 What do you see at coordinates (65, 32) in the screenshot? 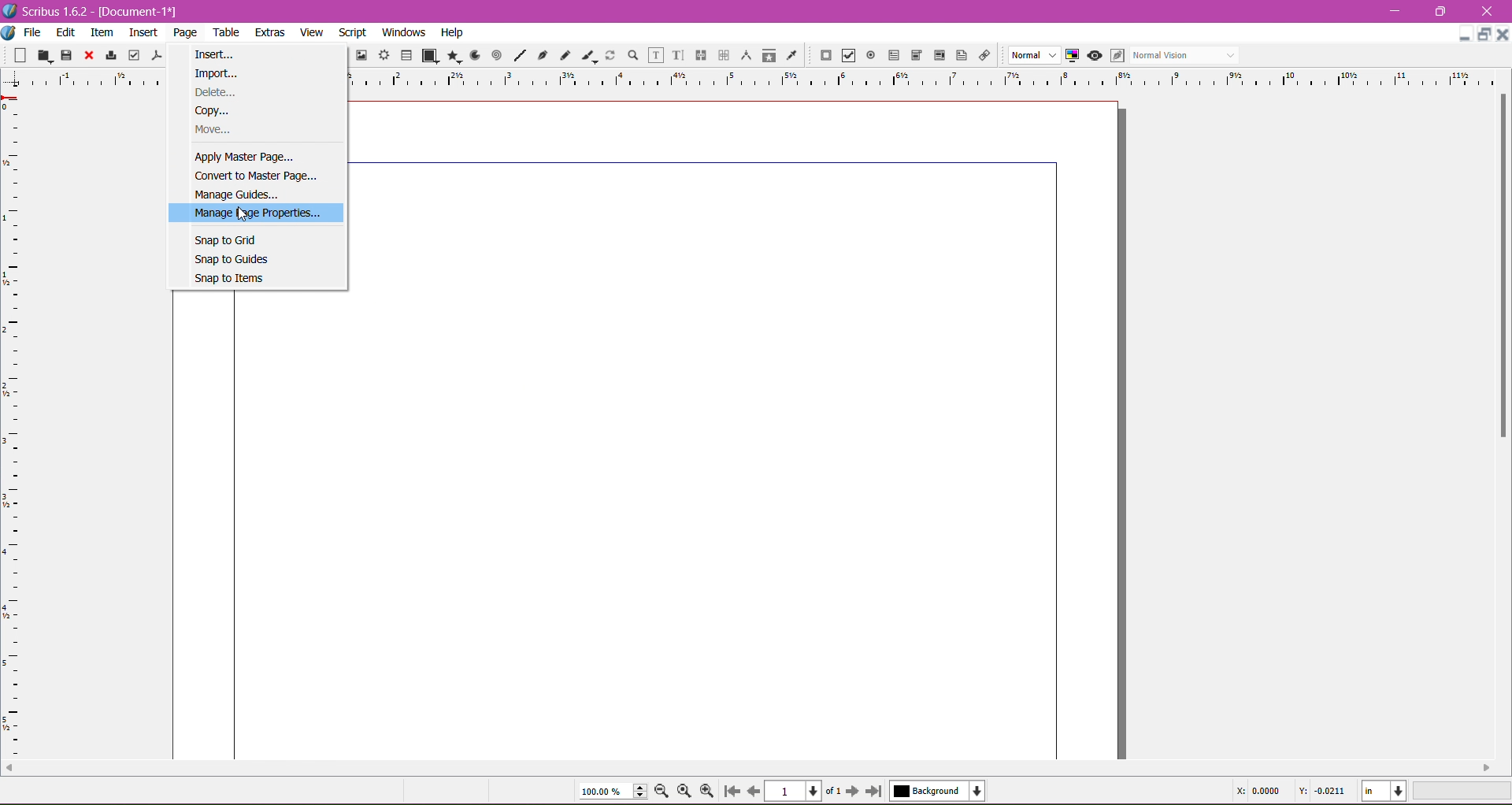
I see `Edit` at bounding box center [65, 32].